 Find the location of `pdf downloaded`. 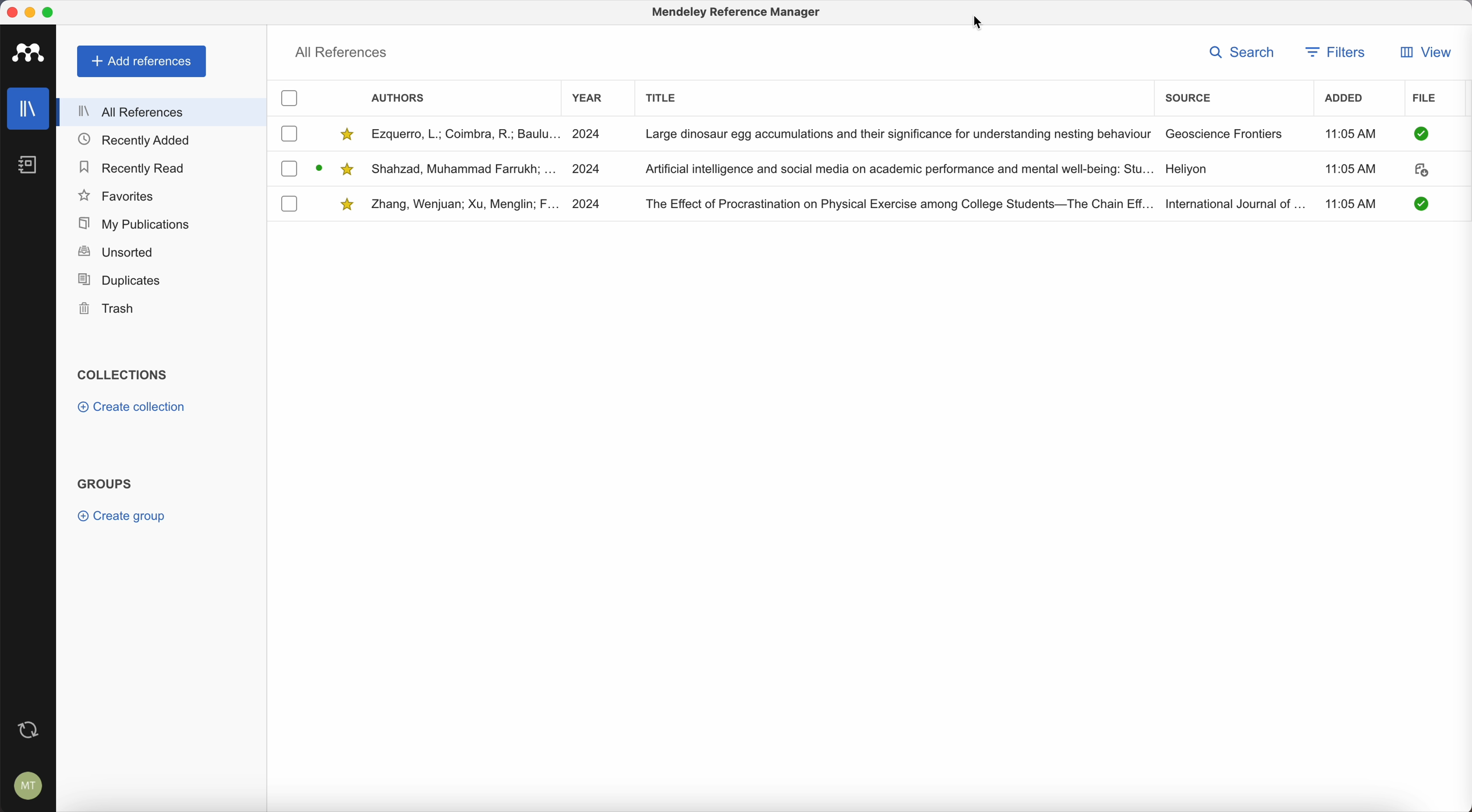

pdf downloaded is located at coordinates (1419, 134).